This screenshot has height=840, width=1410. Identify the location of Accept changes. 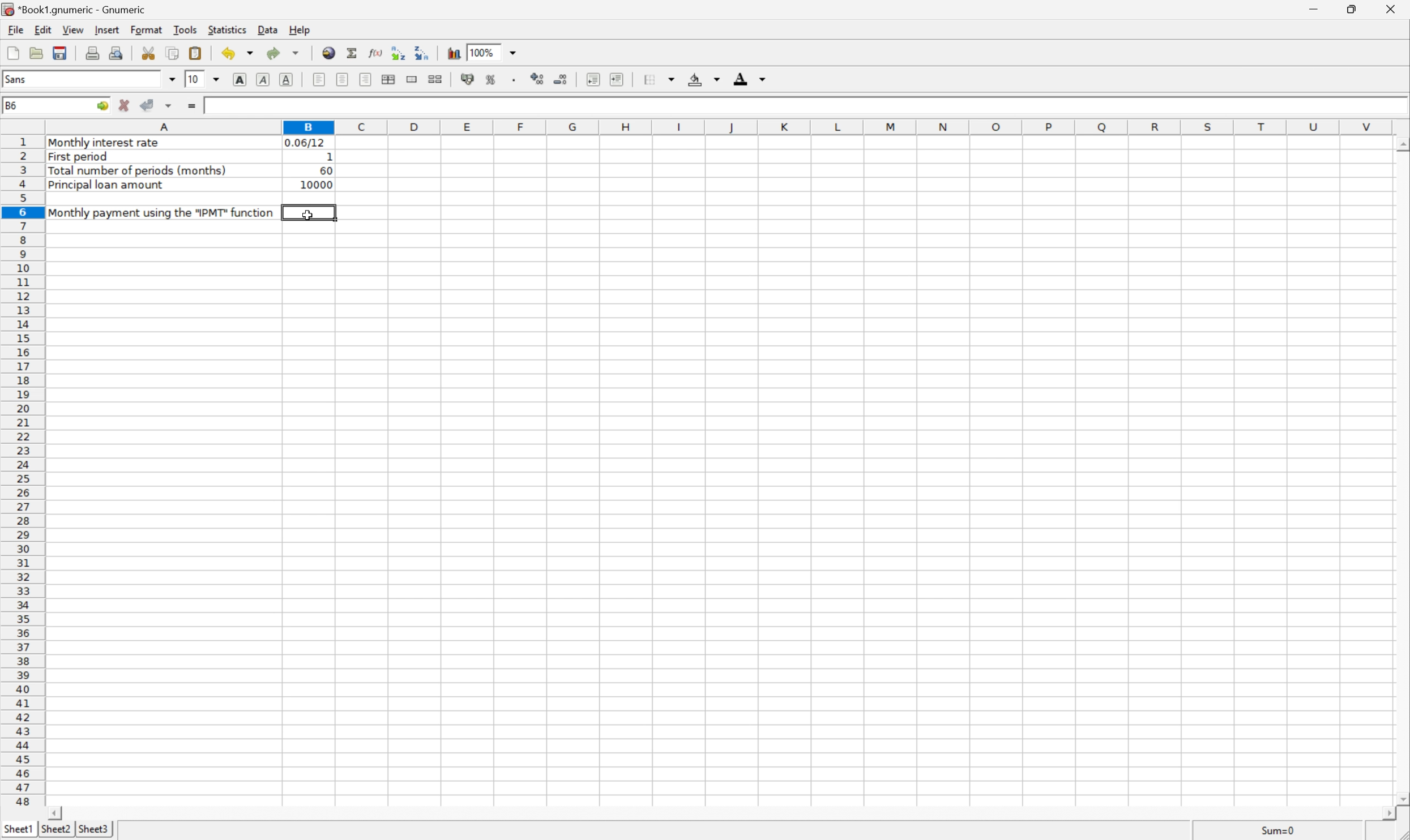
(149, 106).